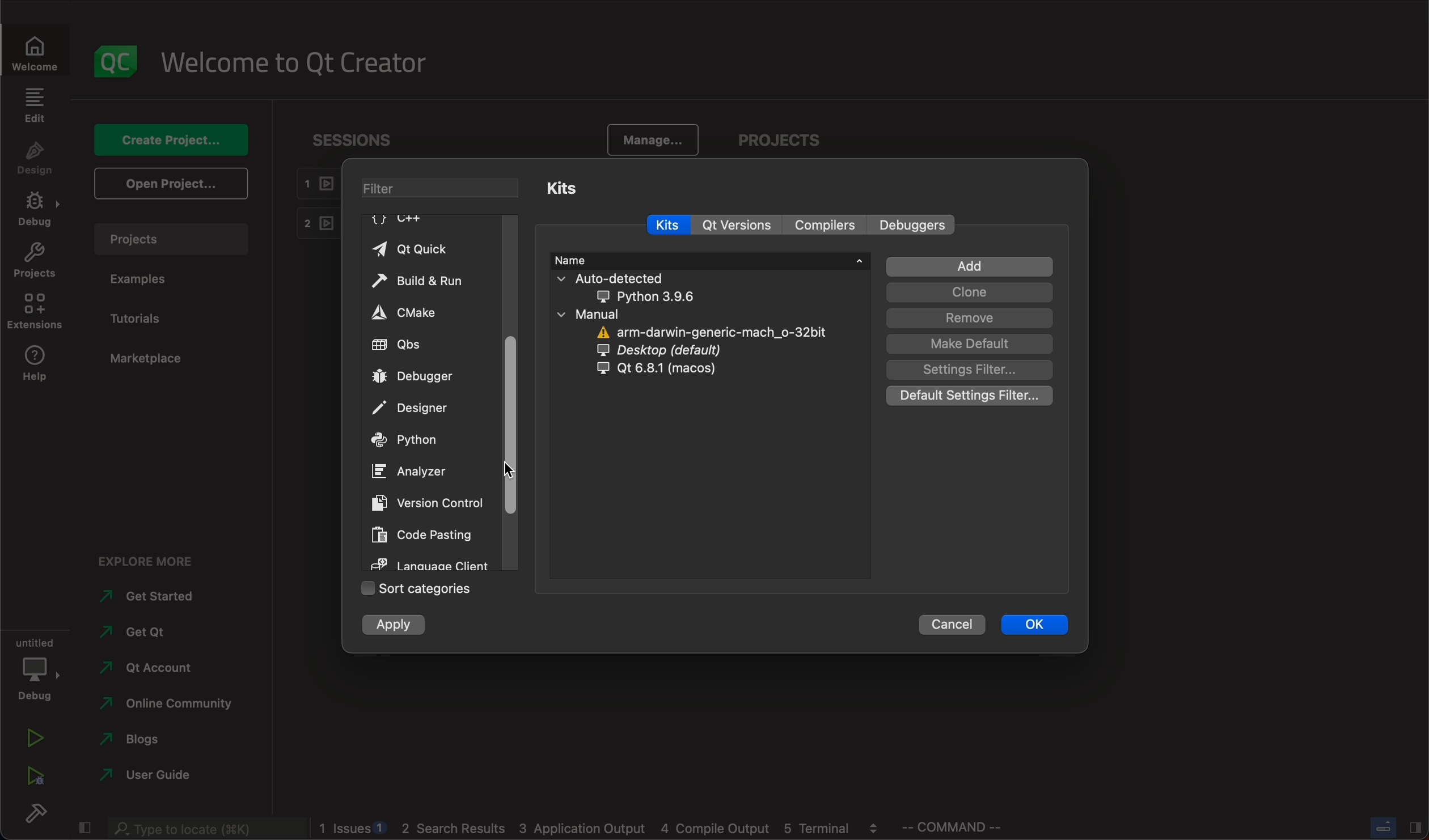 This screenshot has height=840, width=1429. Describe the element at coordinates (174, 705) in the screenshot. I see `community` at that location.